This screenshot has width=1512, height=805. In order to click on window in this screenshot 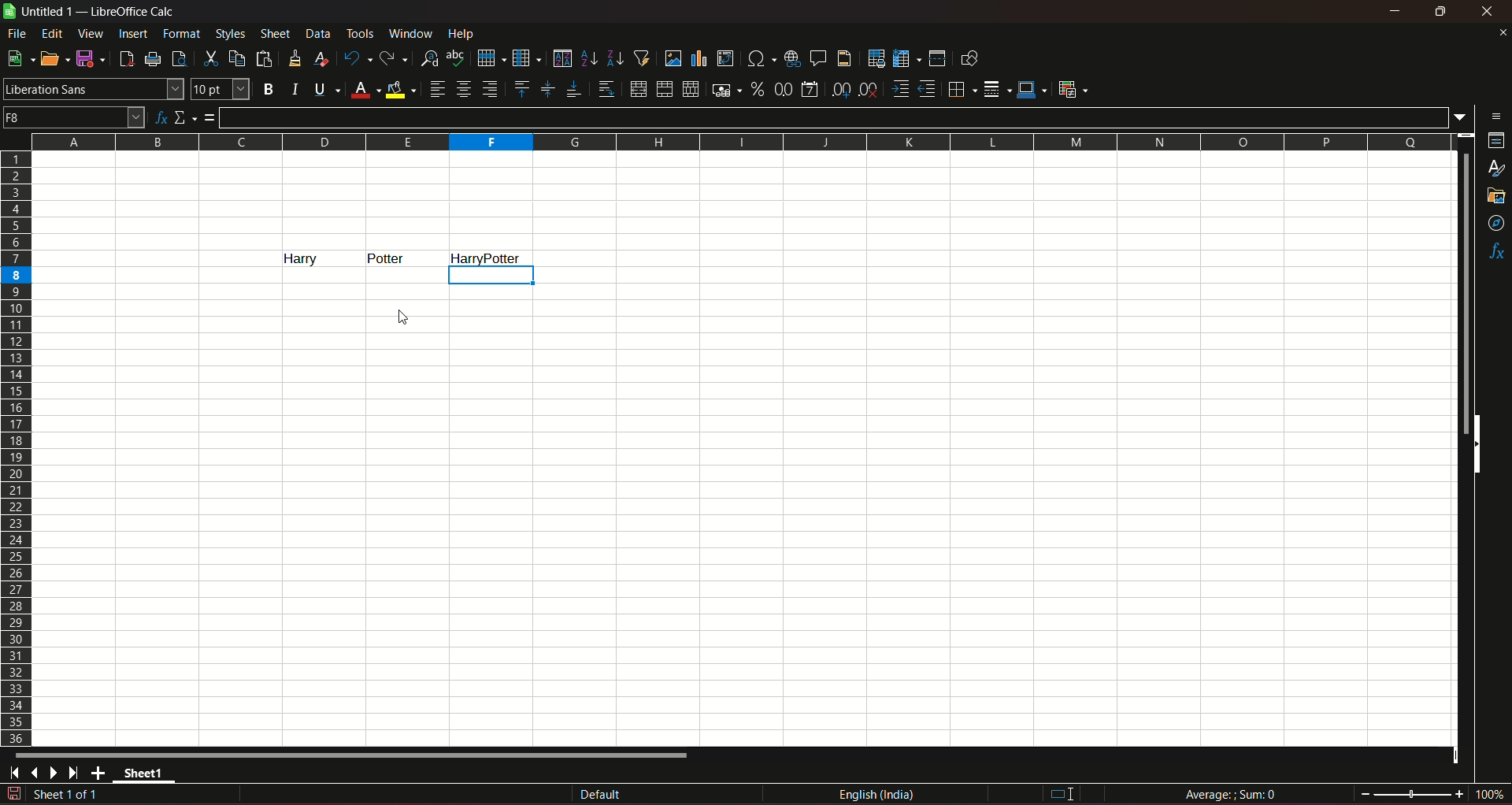, I will do `click(413, 34)`.